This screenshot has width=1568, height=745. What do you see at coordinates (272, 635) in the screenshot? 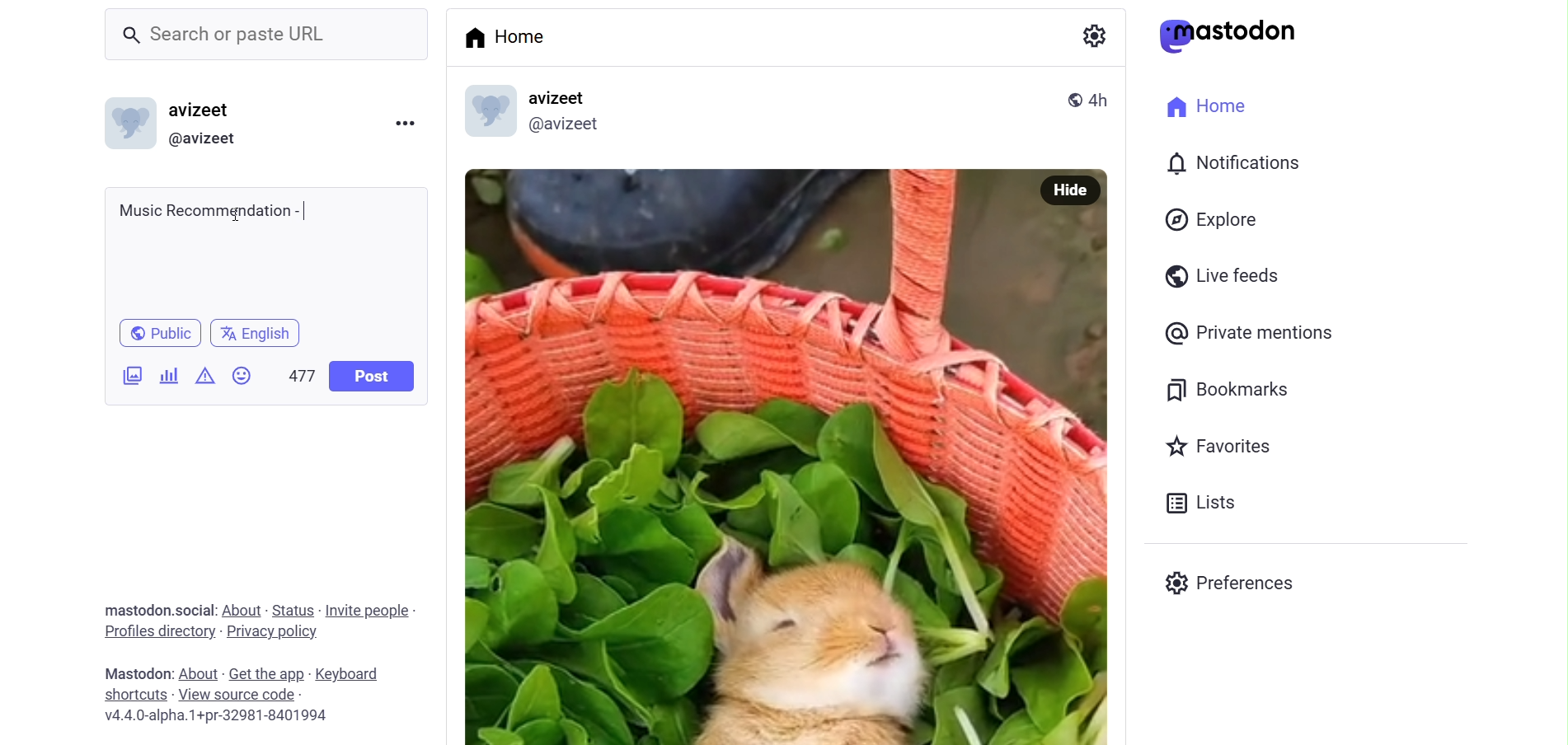
I see `privacy policy` at bounding box center [272, 635].